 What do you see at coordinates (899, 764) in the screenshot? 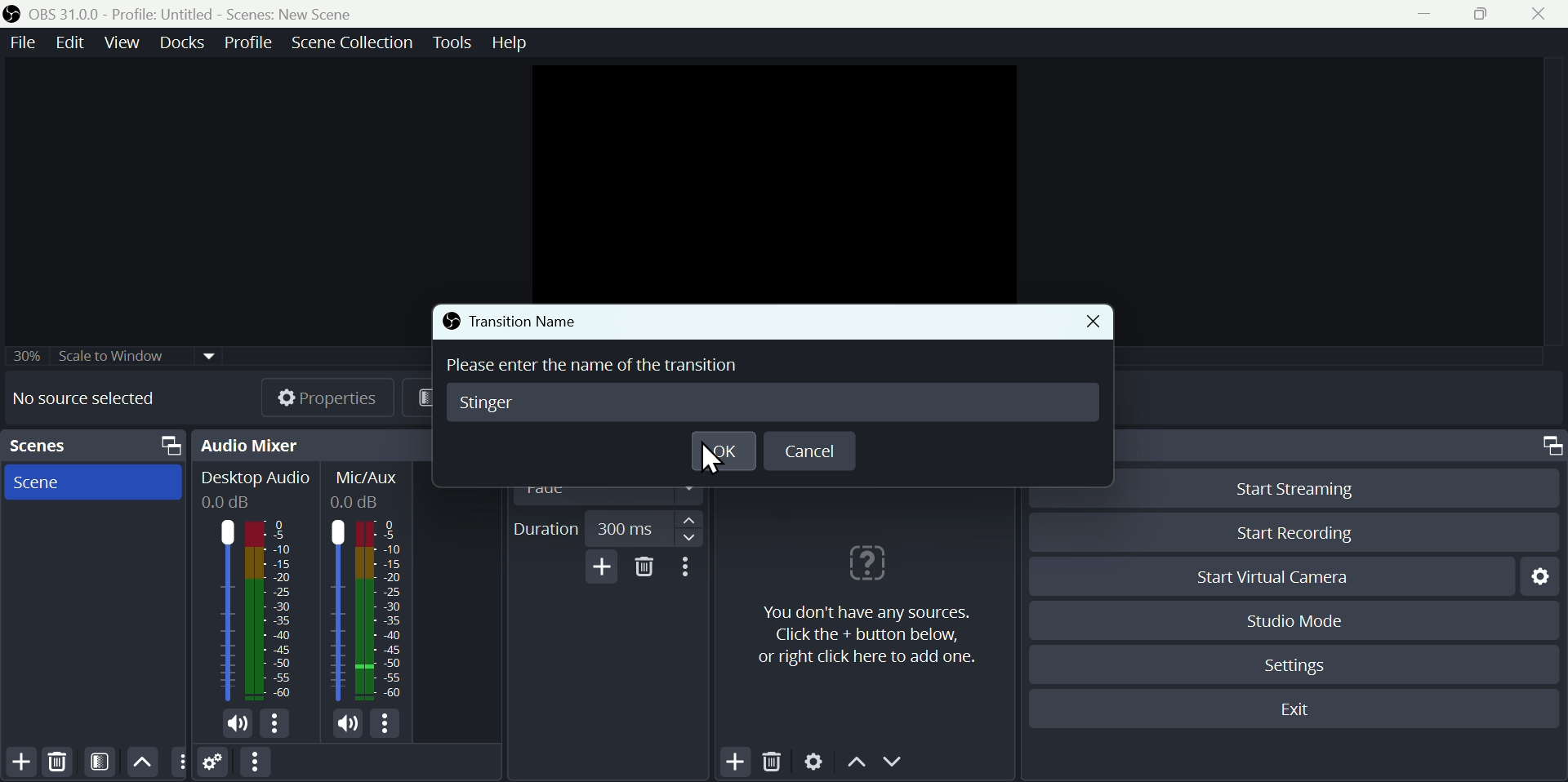
I see `Down` at bounding box center [899, 764].